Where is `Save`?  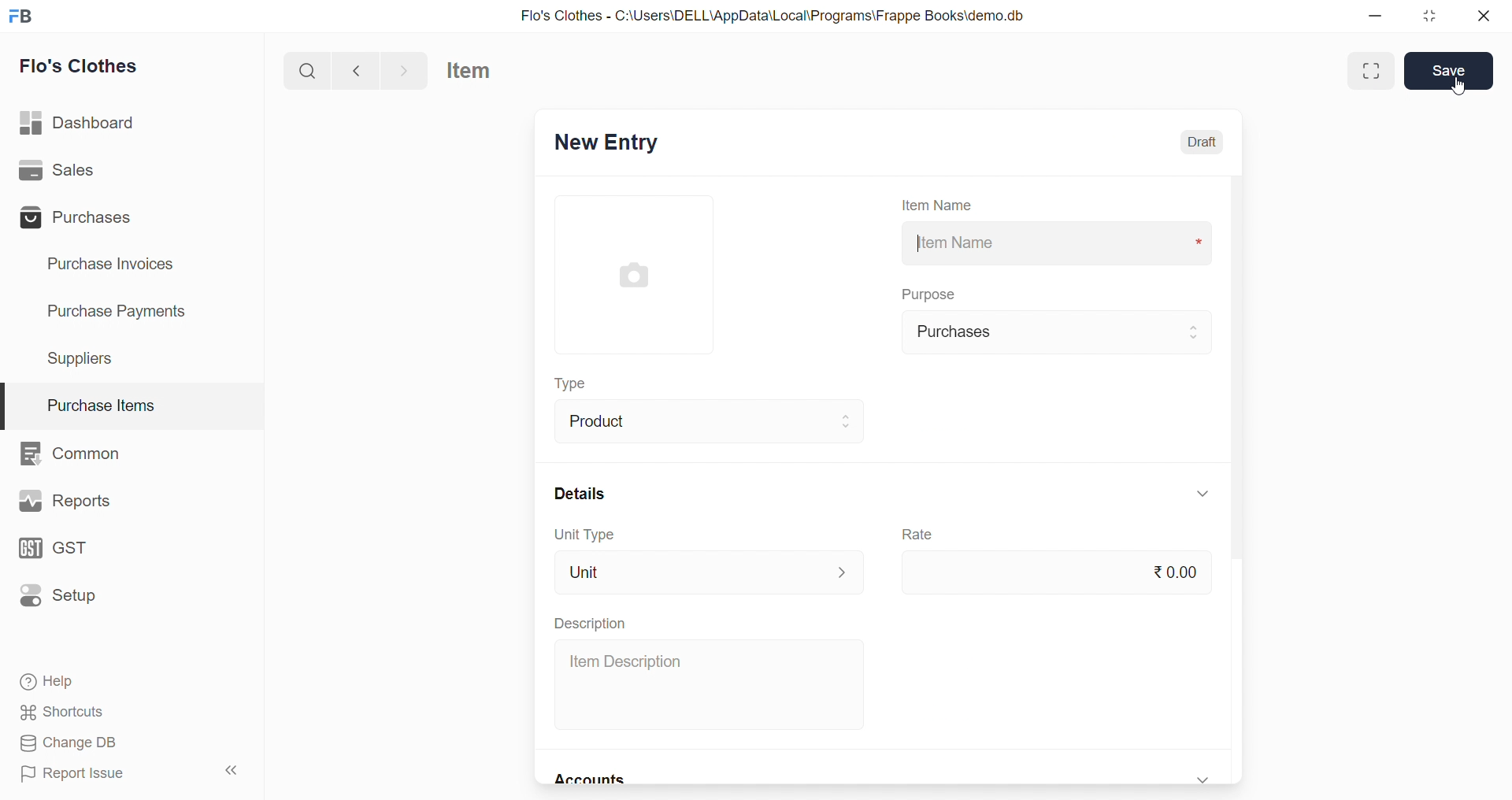
Save is located at coordinates (1449, 71).